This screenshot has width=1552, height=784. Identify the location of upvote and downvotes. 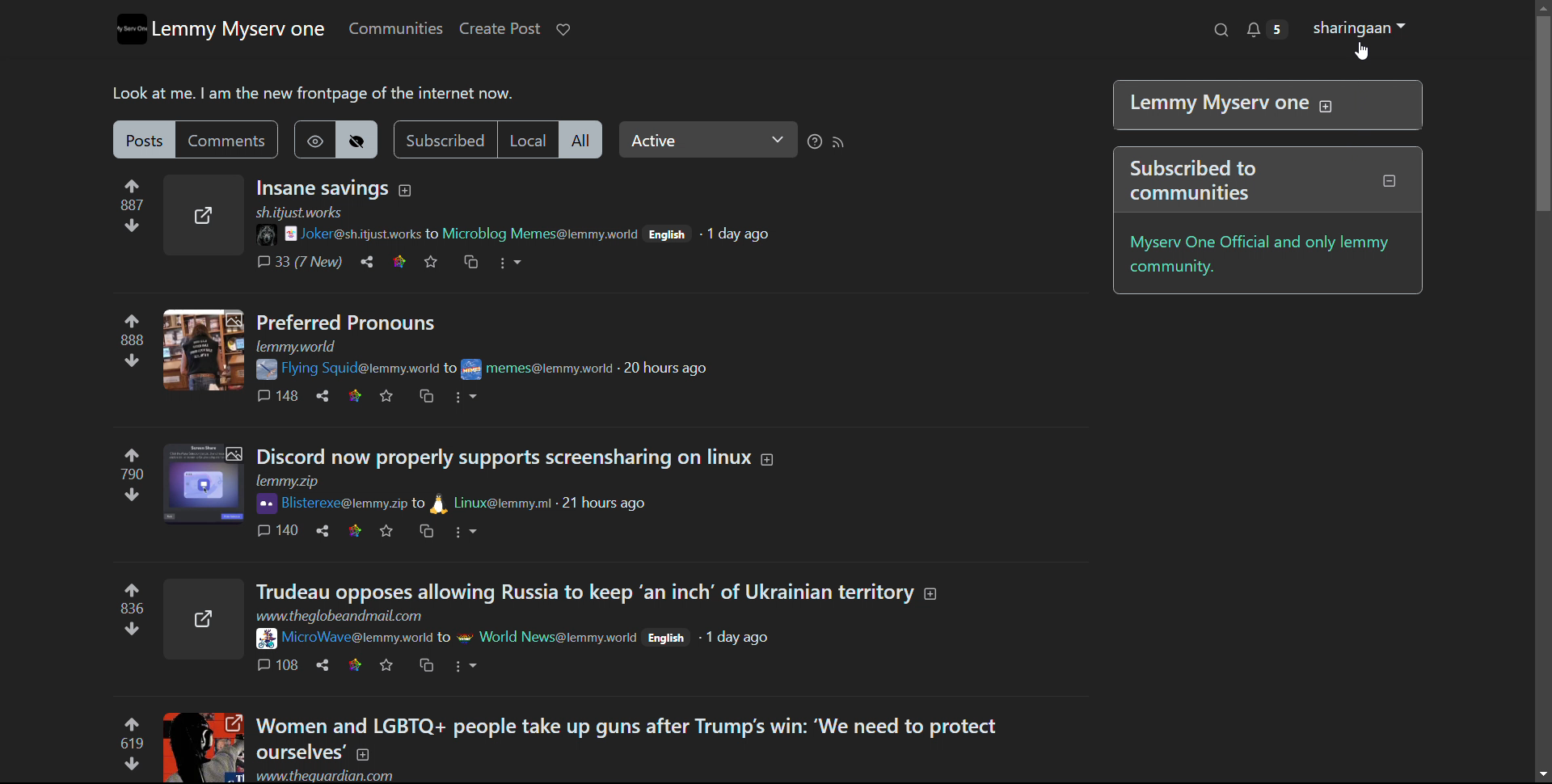
(132, 474).